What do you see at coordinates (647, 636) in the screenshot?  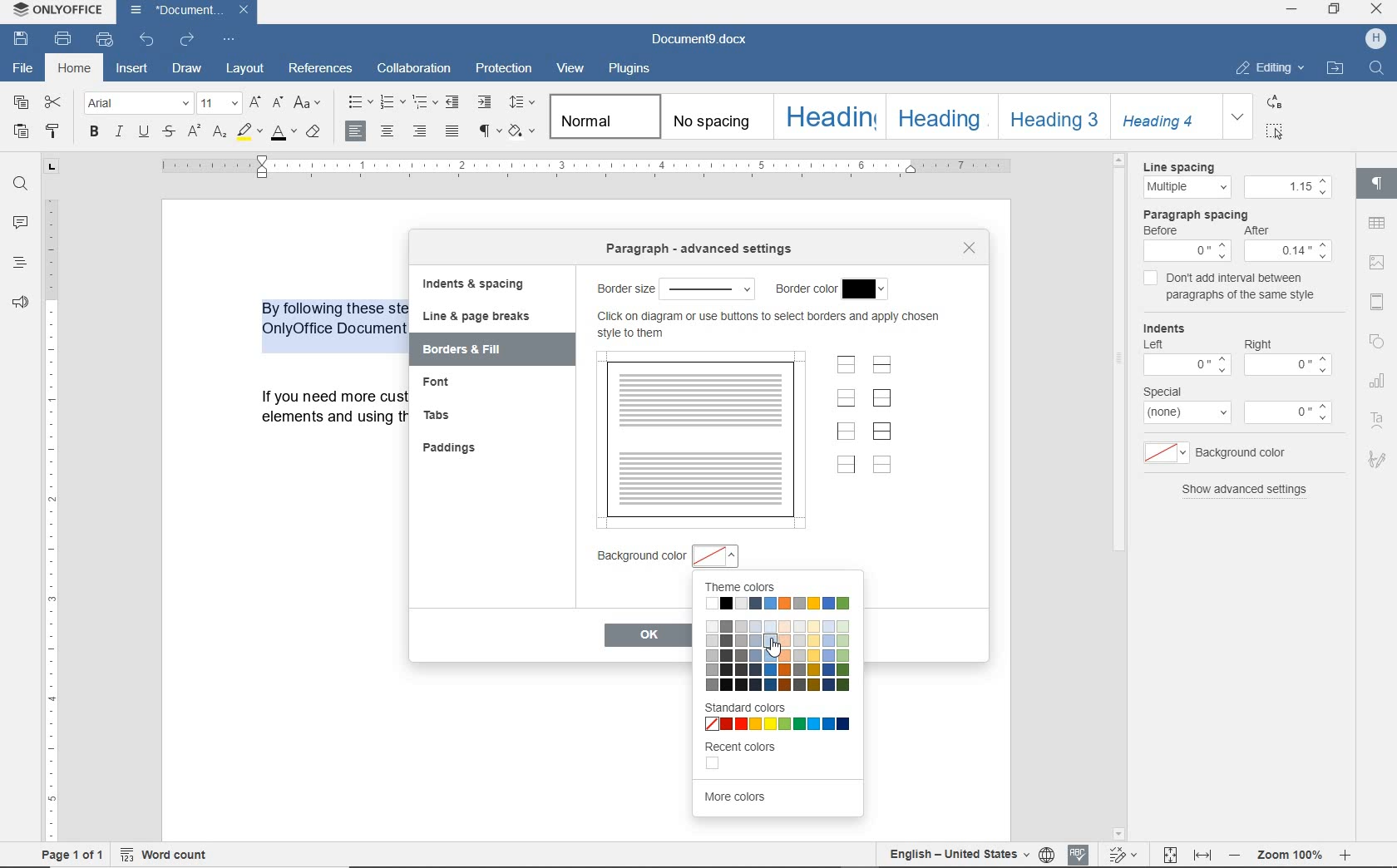 I see `ok` at bounding box center [647, 636].